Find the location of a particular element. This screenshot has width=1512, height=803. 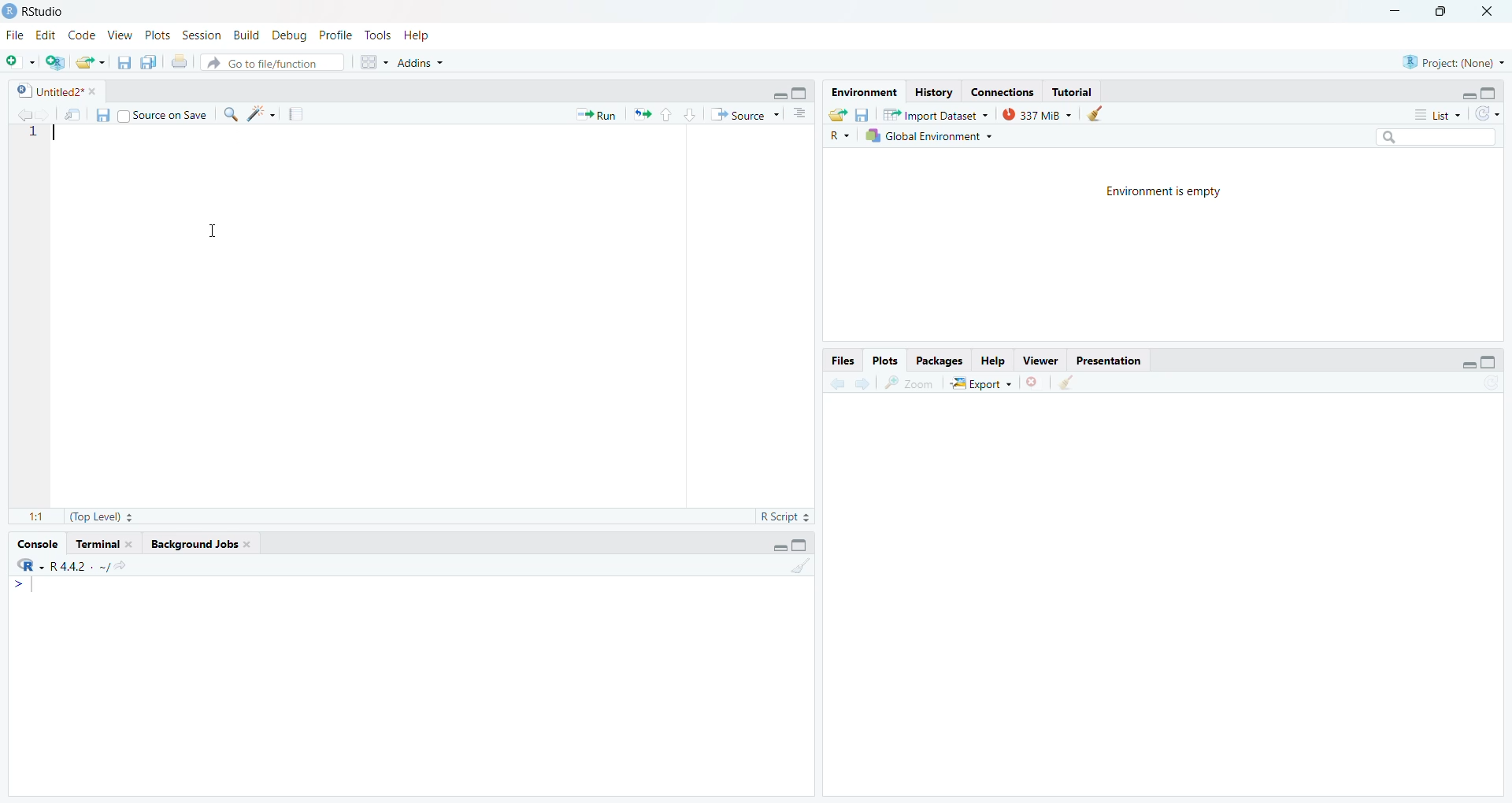

clear all plots is located at coordinates (1066, 383).